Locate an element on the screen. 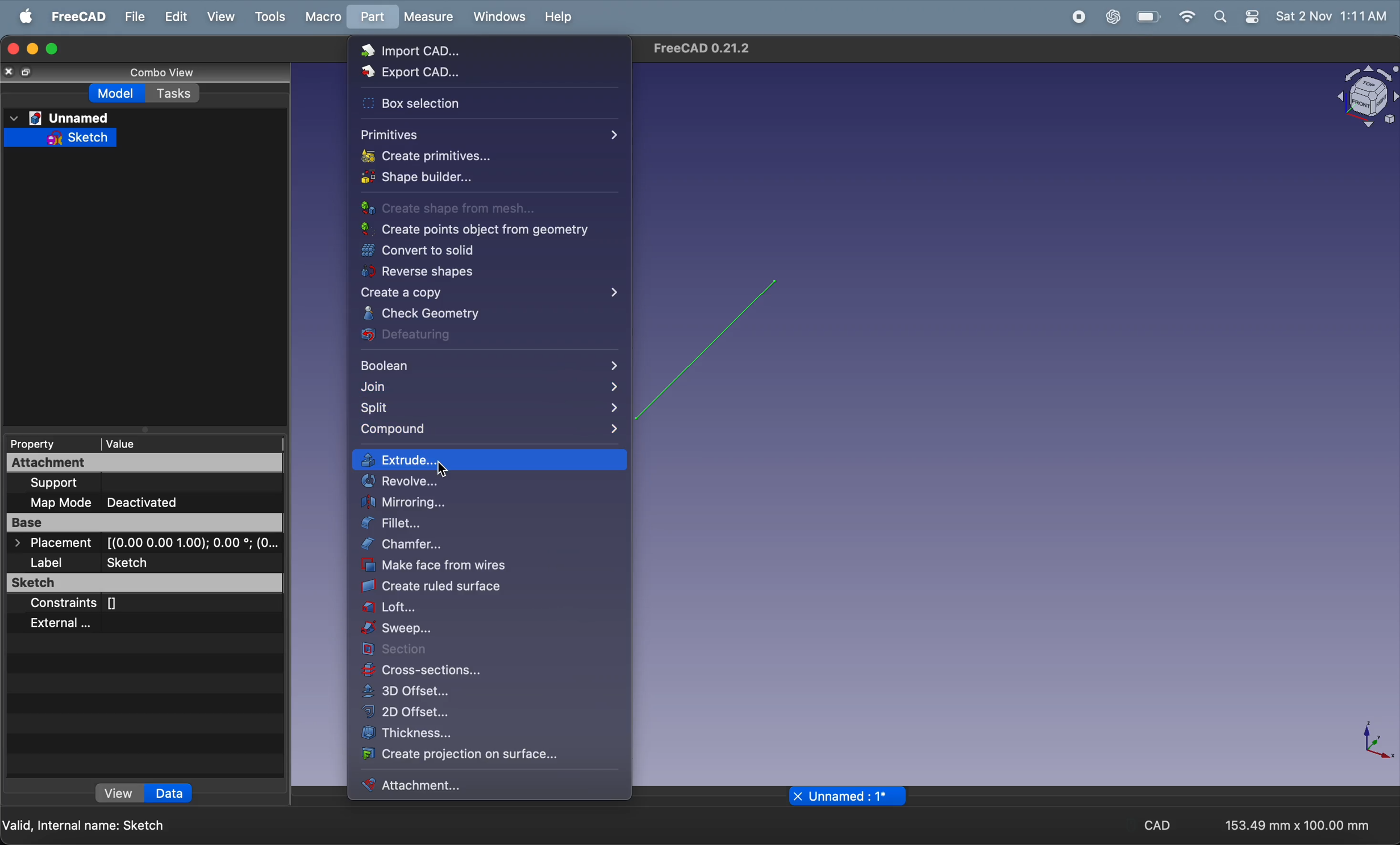 The image size is (1400, 845). CAD is located at coordinates (1158, 826).